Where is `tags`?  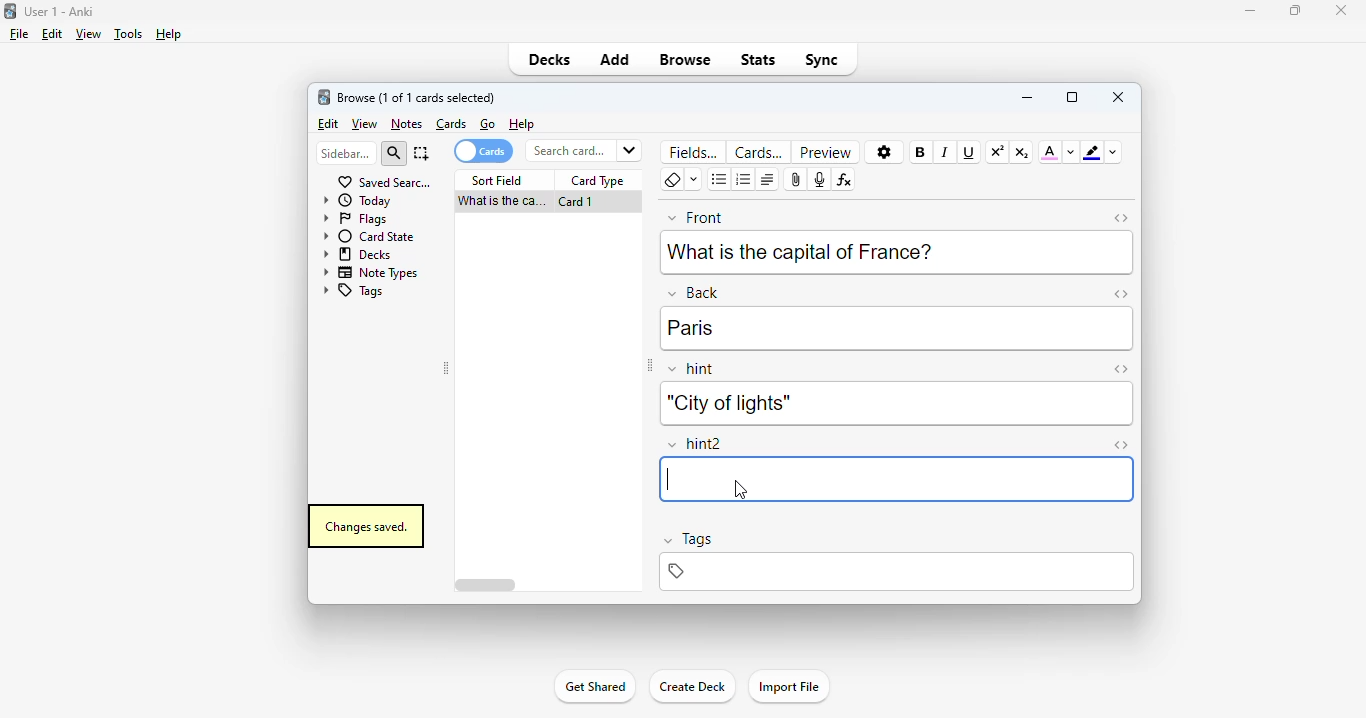 tags is located at coordinates (895, 572).